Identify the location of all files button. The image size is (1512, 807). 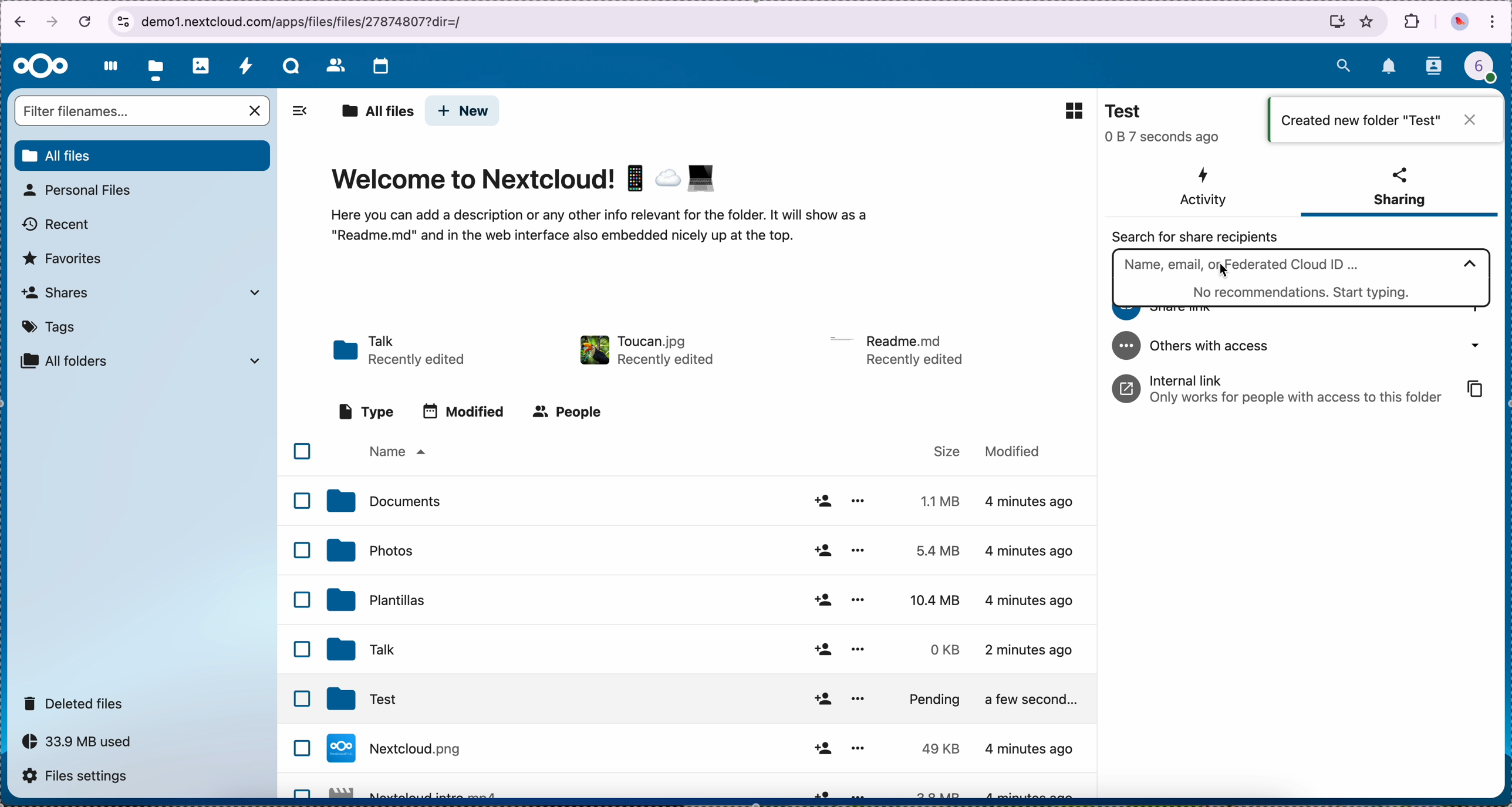
(144, 156).